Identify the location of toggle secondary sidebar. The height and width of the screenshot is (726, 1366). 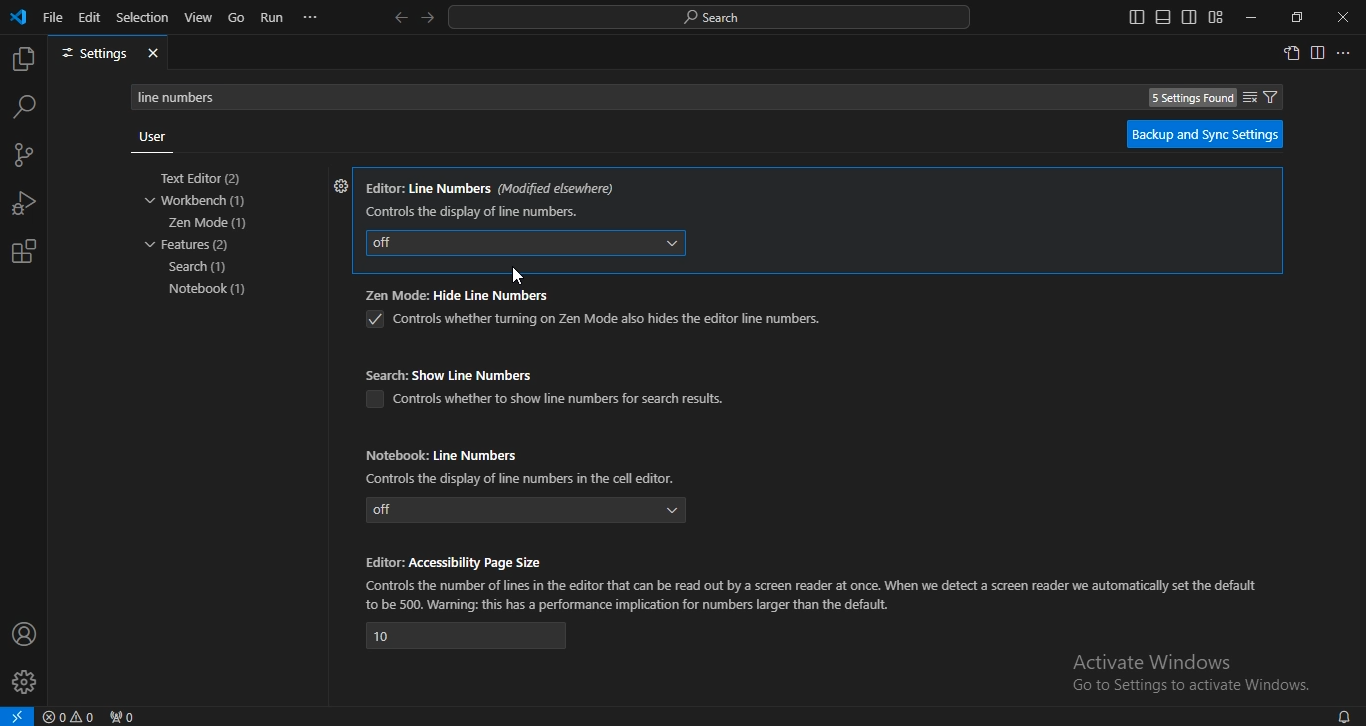
(1189, 17).